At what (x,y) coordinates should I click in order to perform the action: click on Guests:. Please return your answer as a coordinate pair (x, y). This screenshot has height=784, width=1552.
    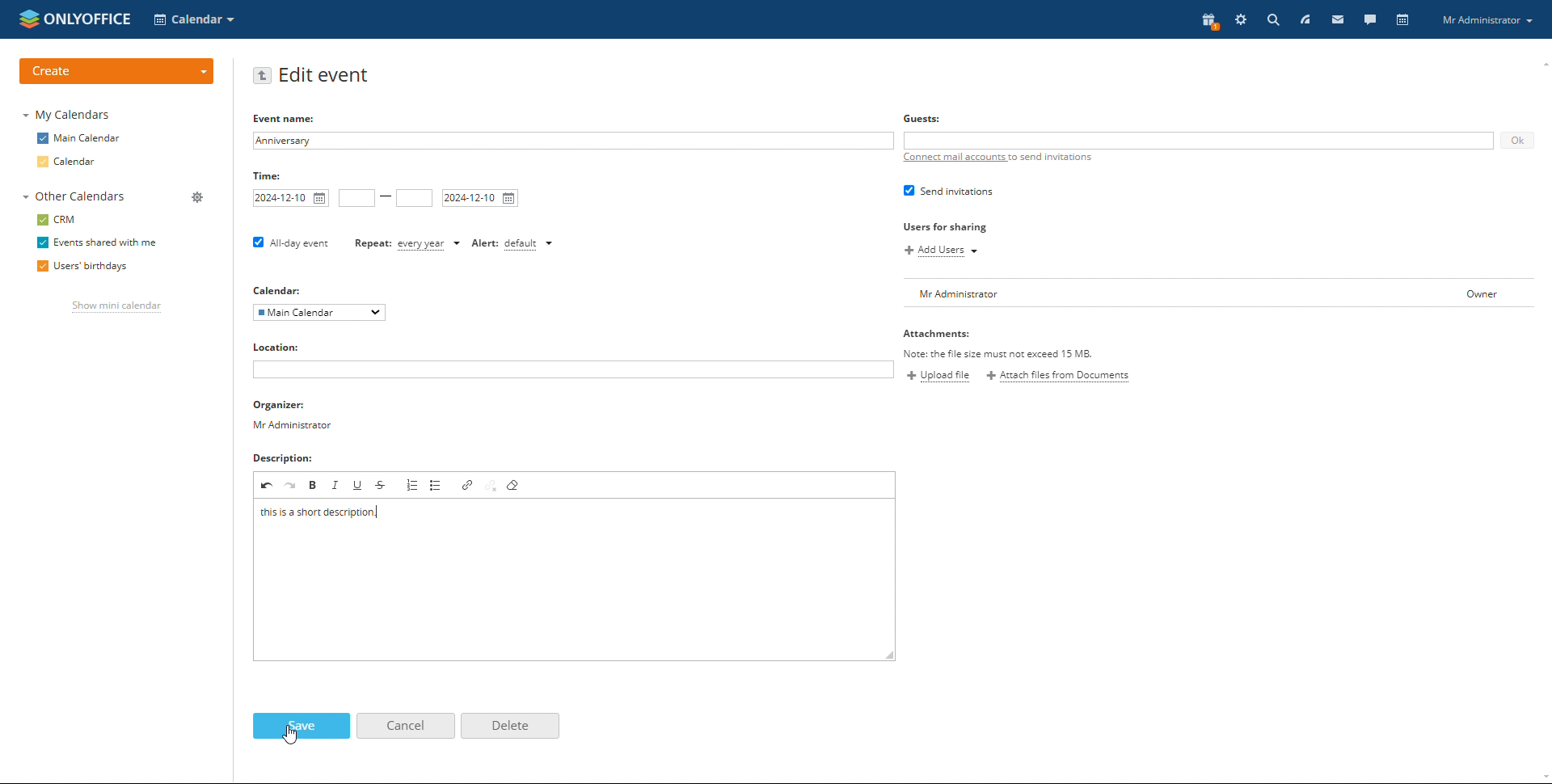
    Looking at the image, I should click on (921, 117).